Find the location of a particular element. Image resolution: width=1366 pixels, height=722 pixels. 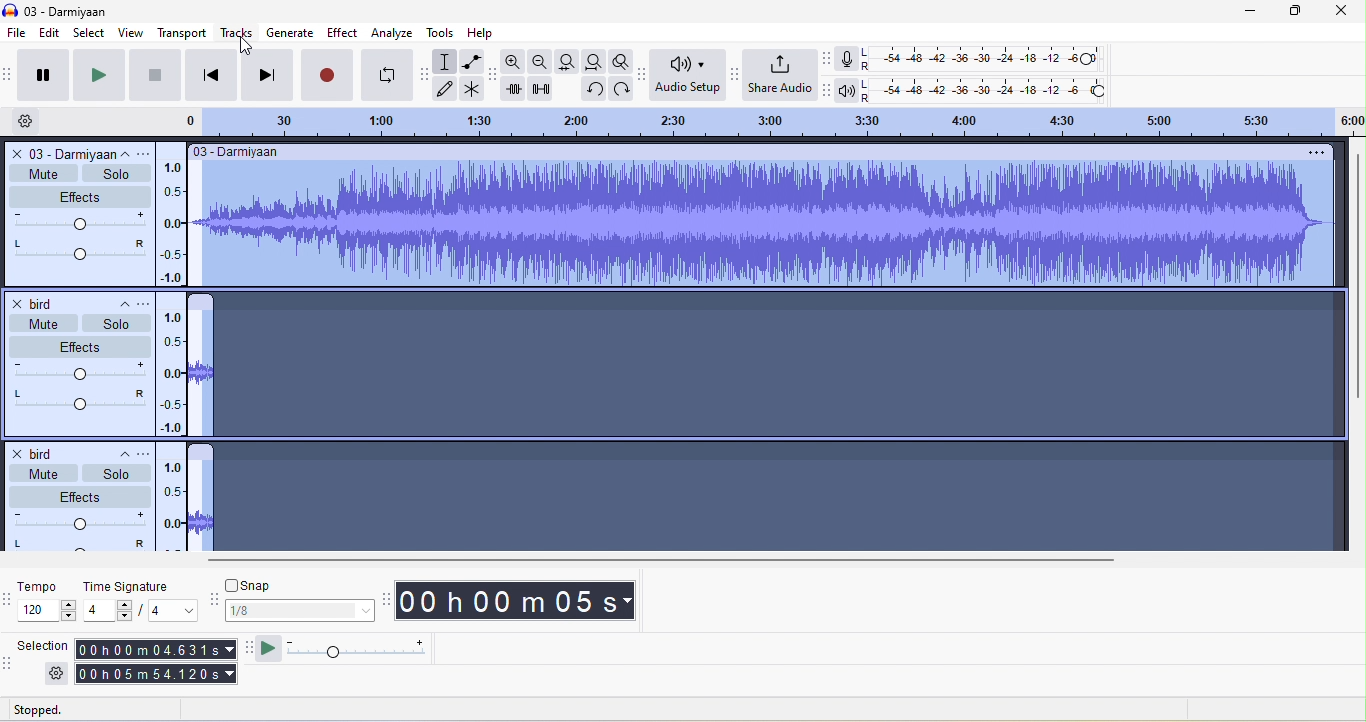

pause is located at coordinates (41, 75).